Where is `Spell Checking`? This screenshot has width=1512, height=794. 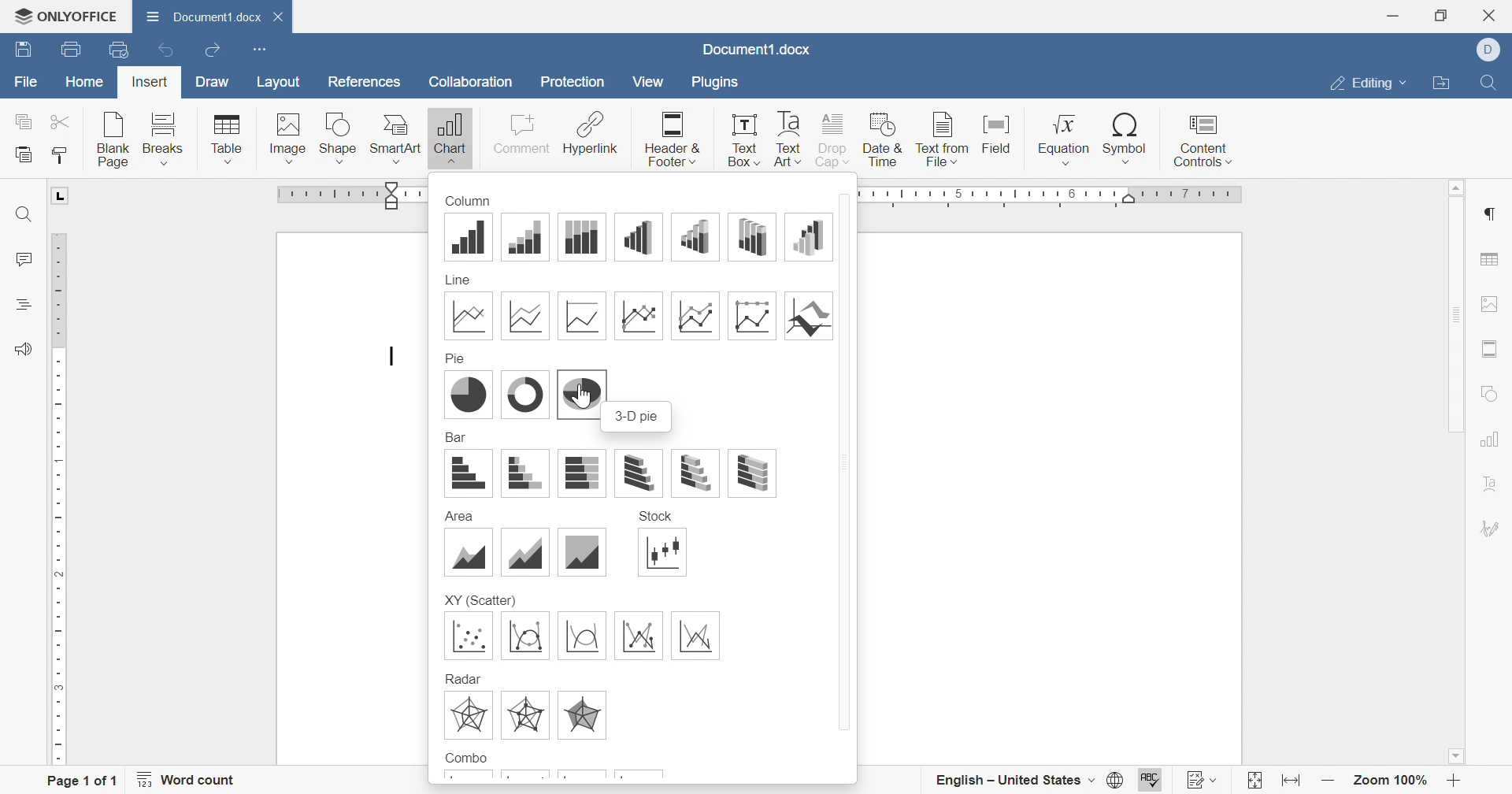 Spell Checking is located at coordinates (21, 305).